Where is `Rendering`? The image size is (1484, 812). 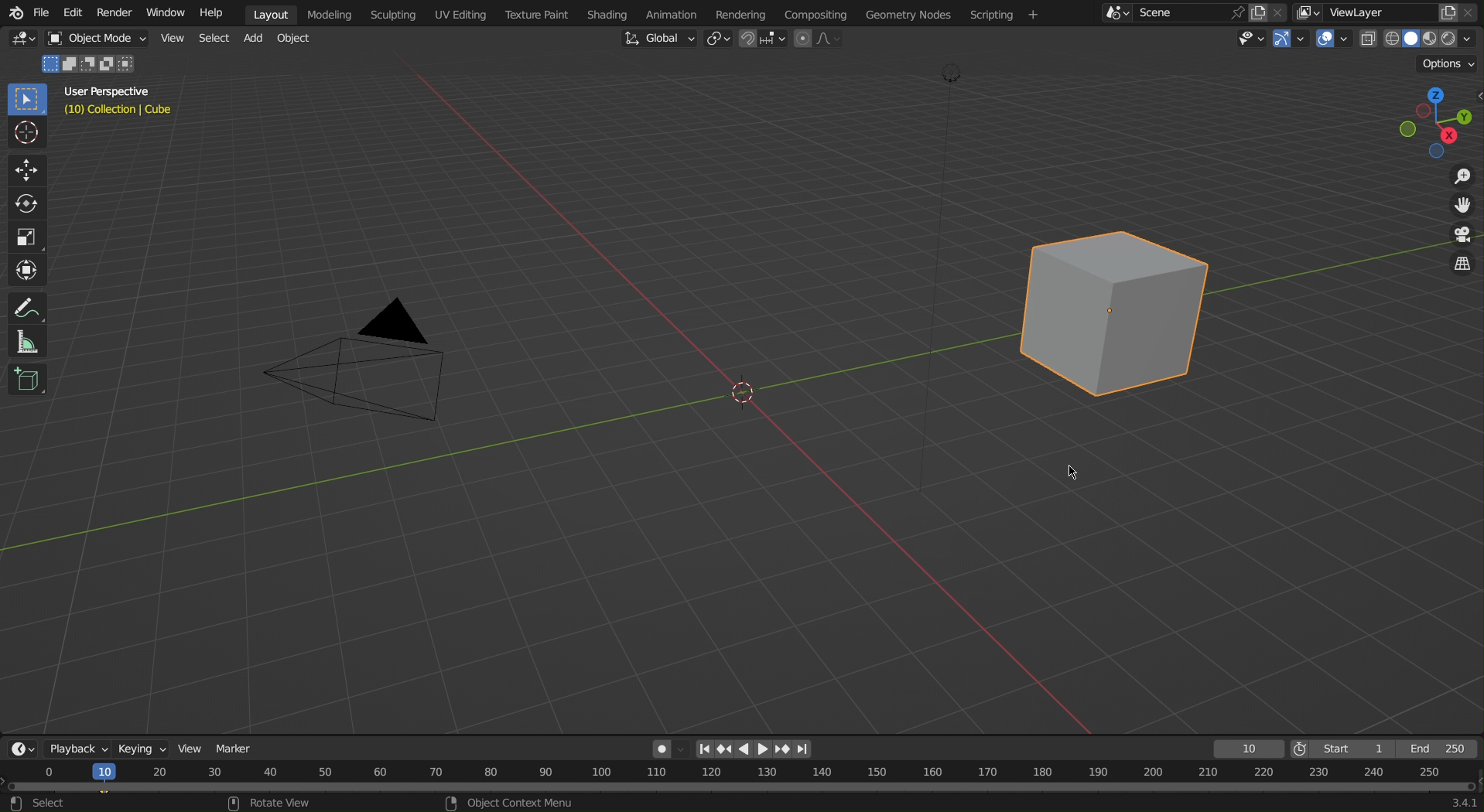 Rendering is located at coordinates (746, 14).